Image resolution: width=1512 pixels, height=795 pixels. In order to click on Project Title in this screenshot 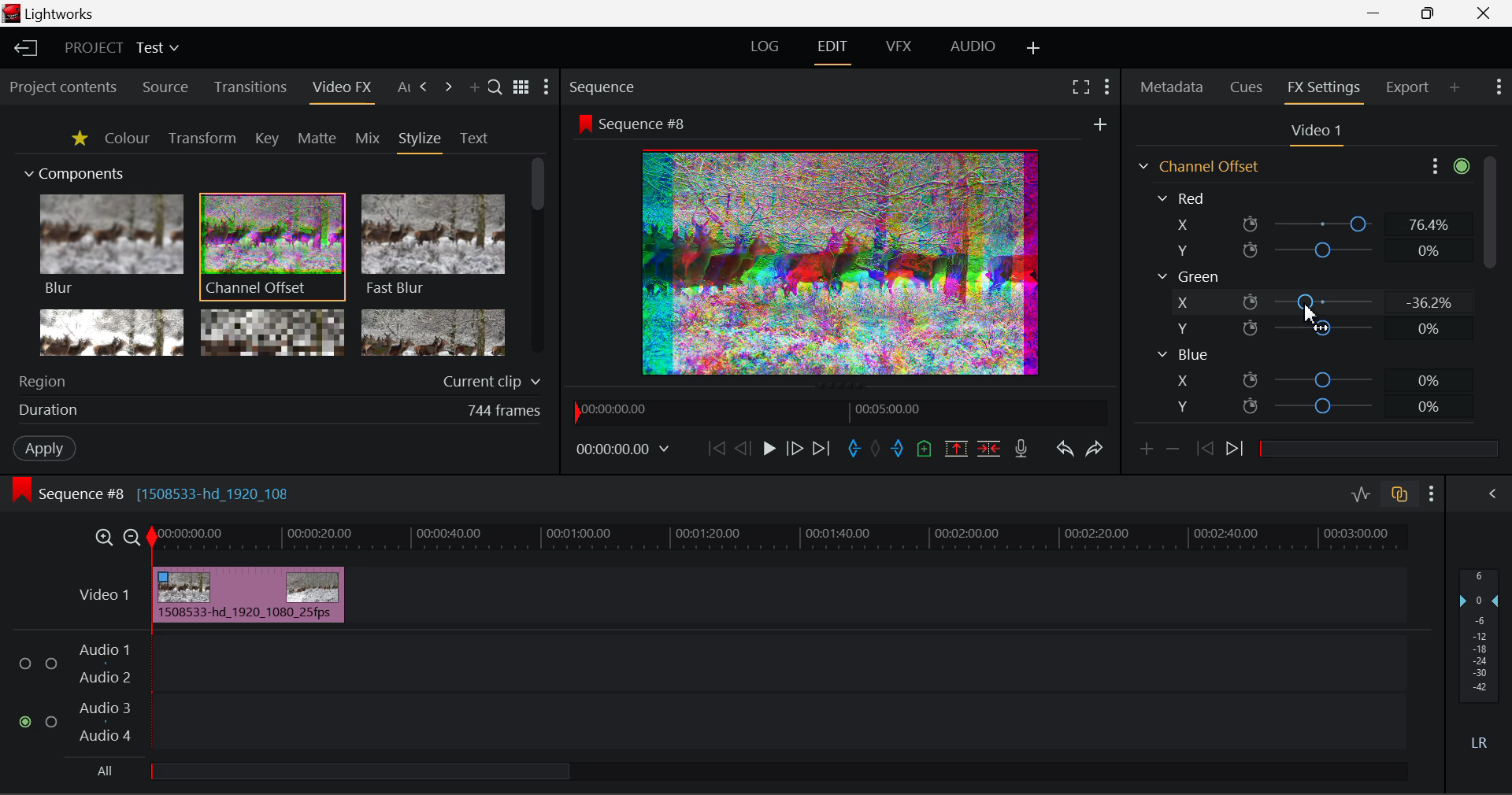, I will do `click(121, 46)`.